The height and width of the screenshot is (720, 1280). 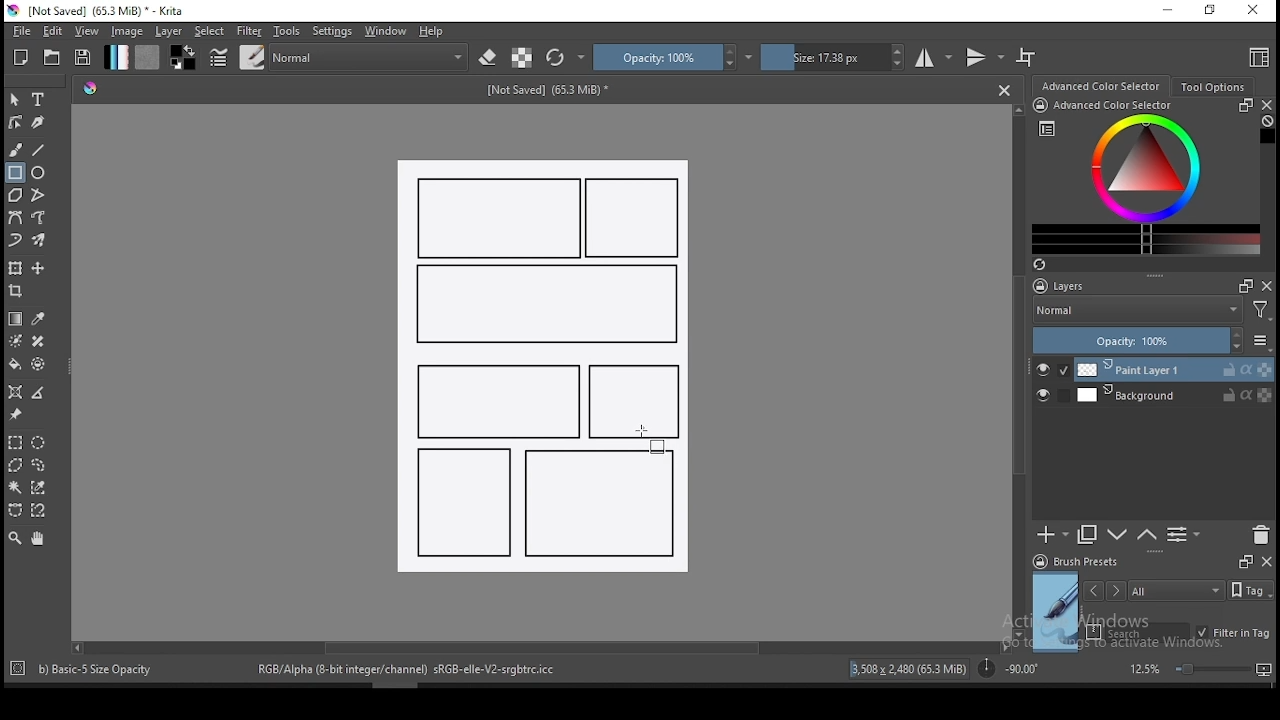 What do you see at coordinates (500, 218) in the screenshot?
I see `new rectangle` at bounding box center [500, 218].